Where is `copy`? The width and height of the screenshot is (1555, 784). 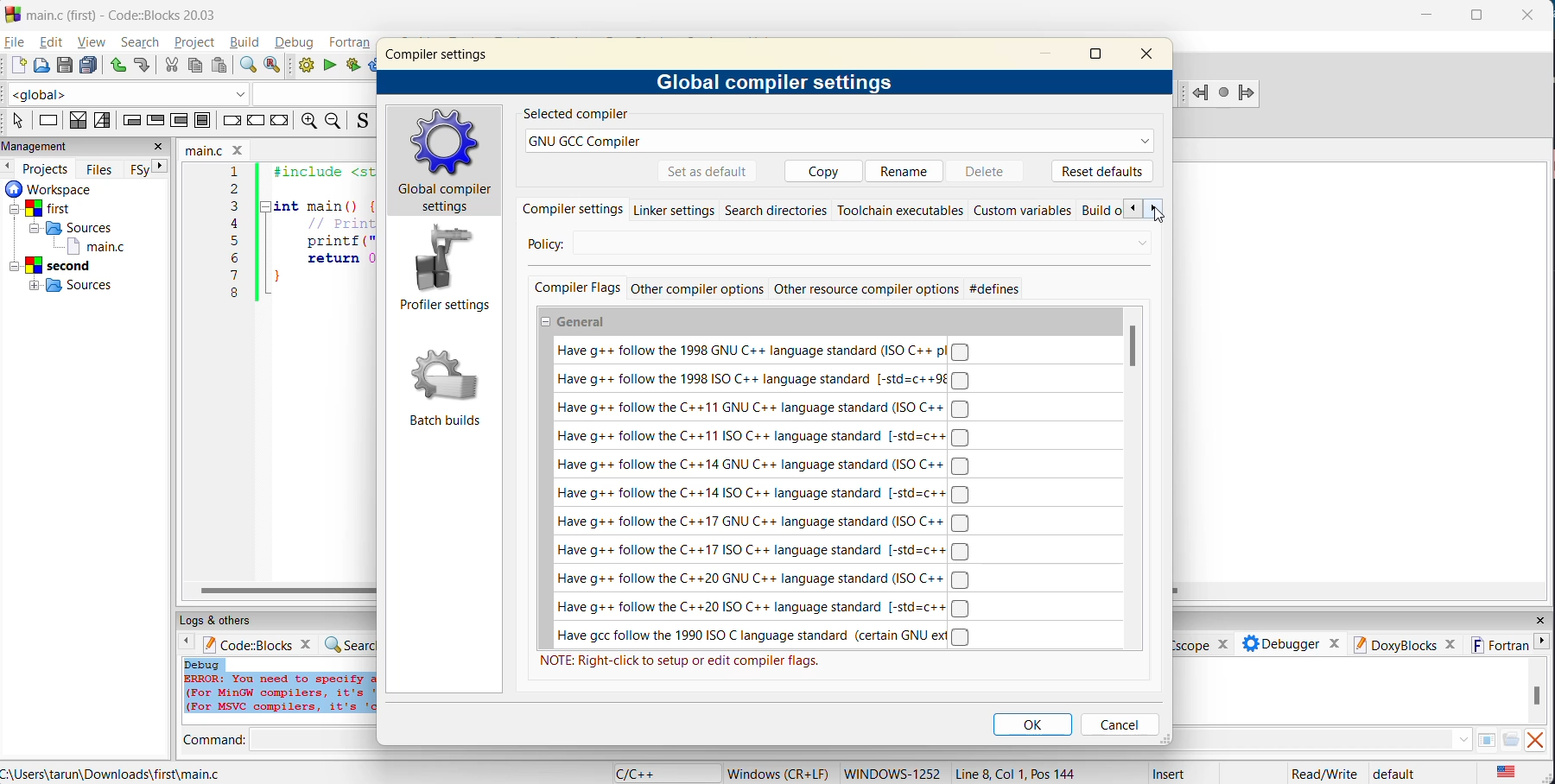
copy is located at coordinates (825, 171).